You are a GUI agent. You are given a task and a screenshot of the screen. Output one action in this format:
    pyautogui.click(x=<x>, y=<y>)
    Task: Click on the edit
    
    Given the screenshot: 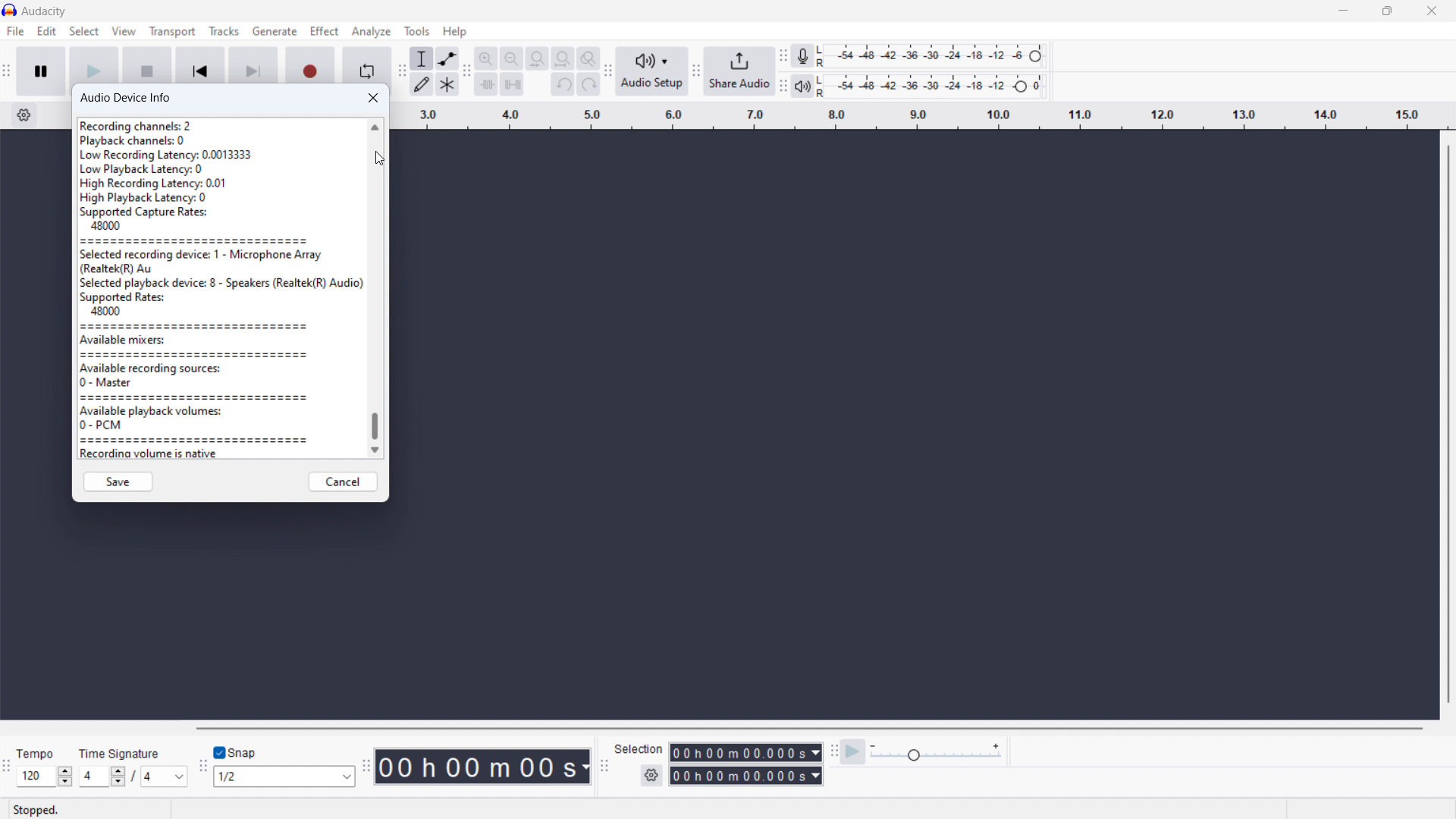 What is the action you would take?
    pyautogui.click(x=46, y=31)
    